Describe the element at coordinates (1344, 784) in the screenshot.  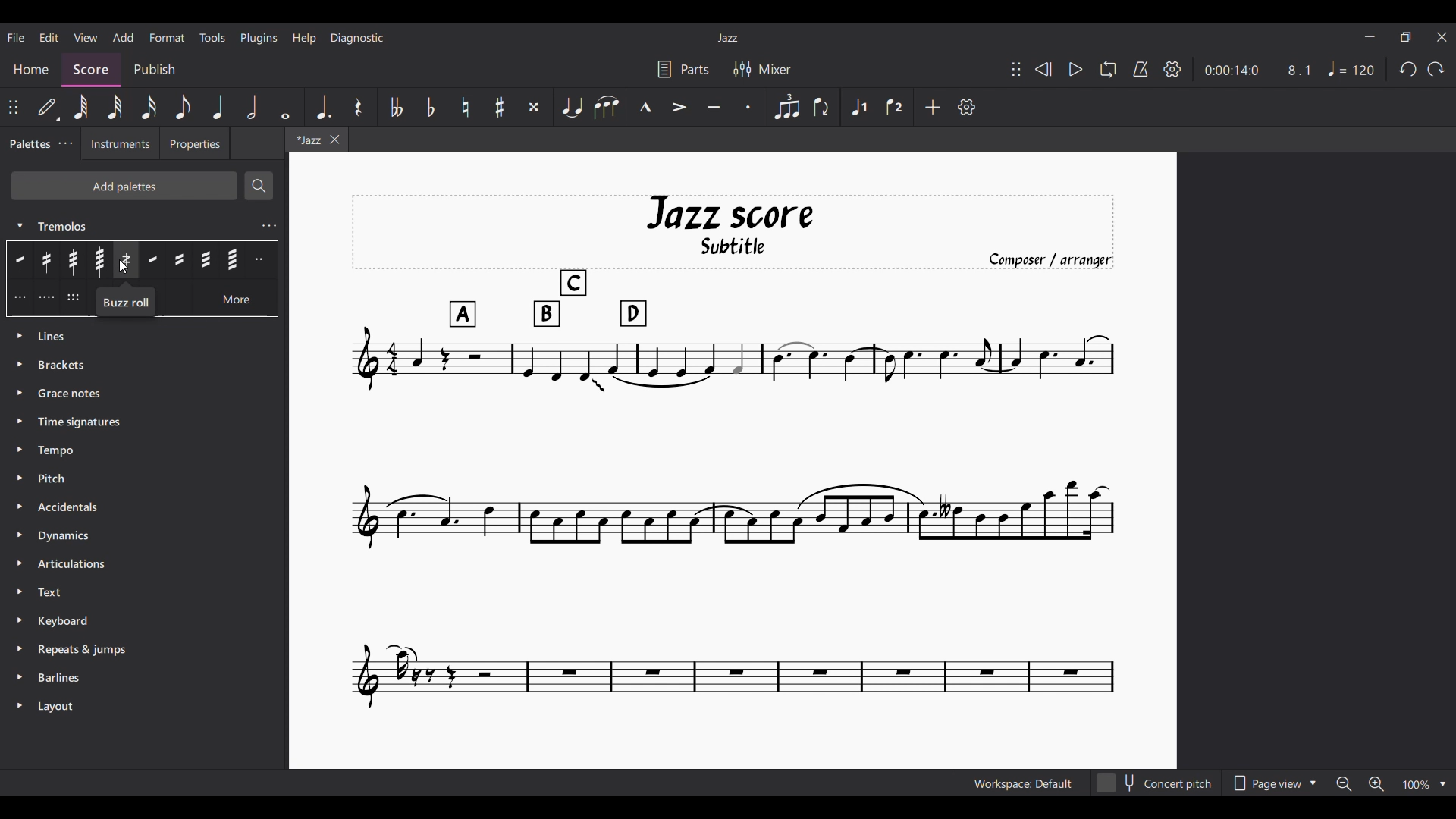
I see `Zoom out` at that location.